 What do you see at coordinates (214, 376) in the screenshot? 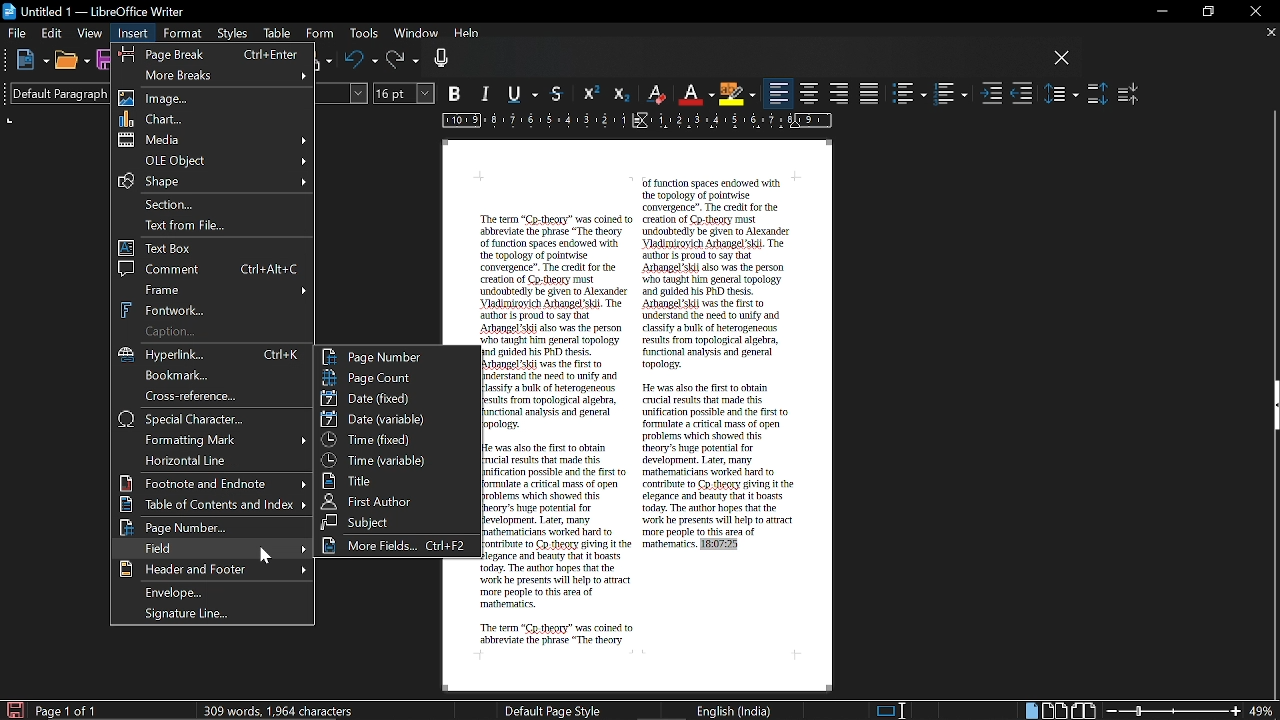
I see `bookmark` at bounding box center [214, 376].